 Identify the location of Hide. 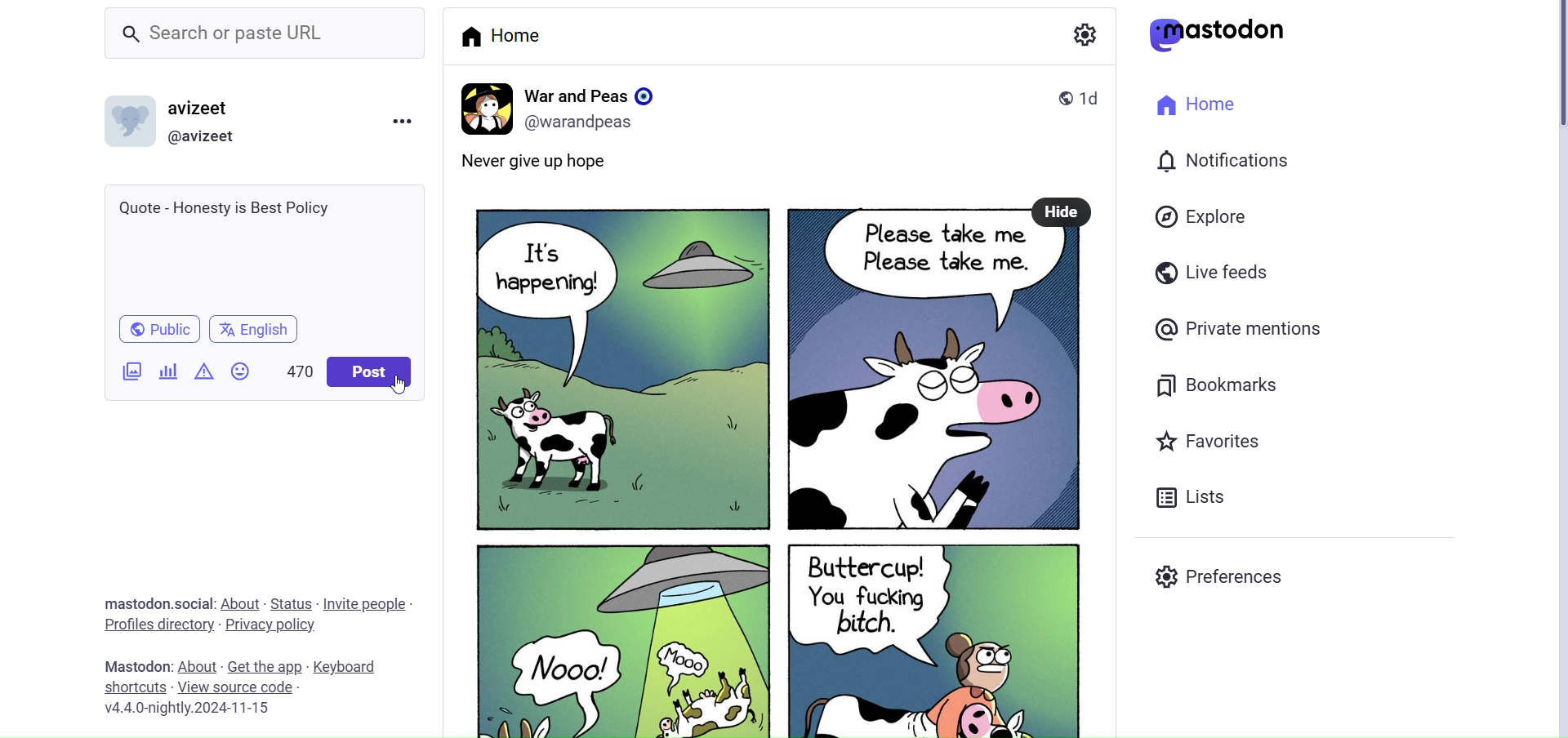
(1063, 212).